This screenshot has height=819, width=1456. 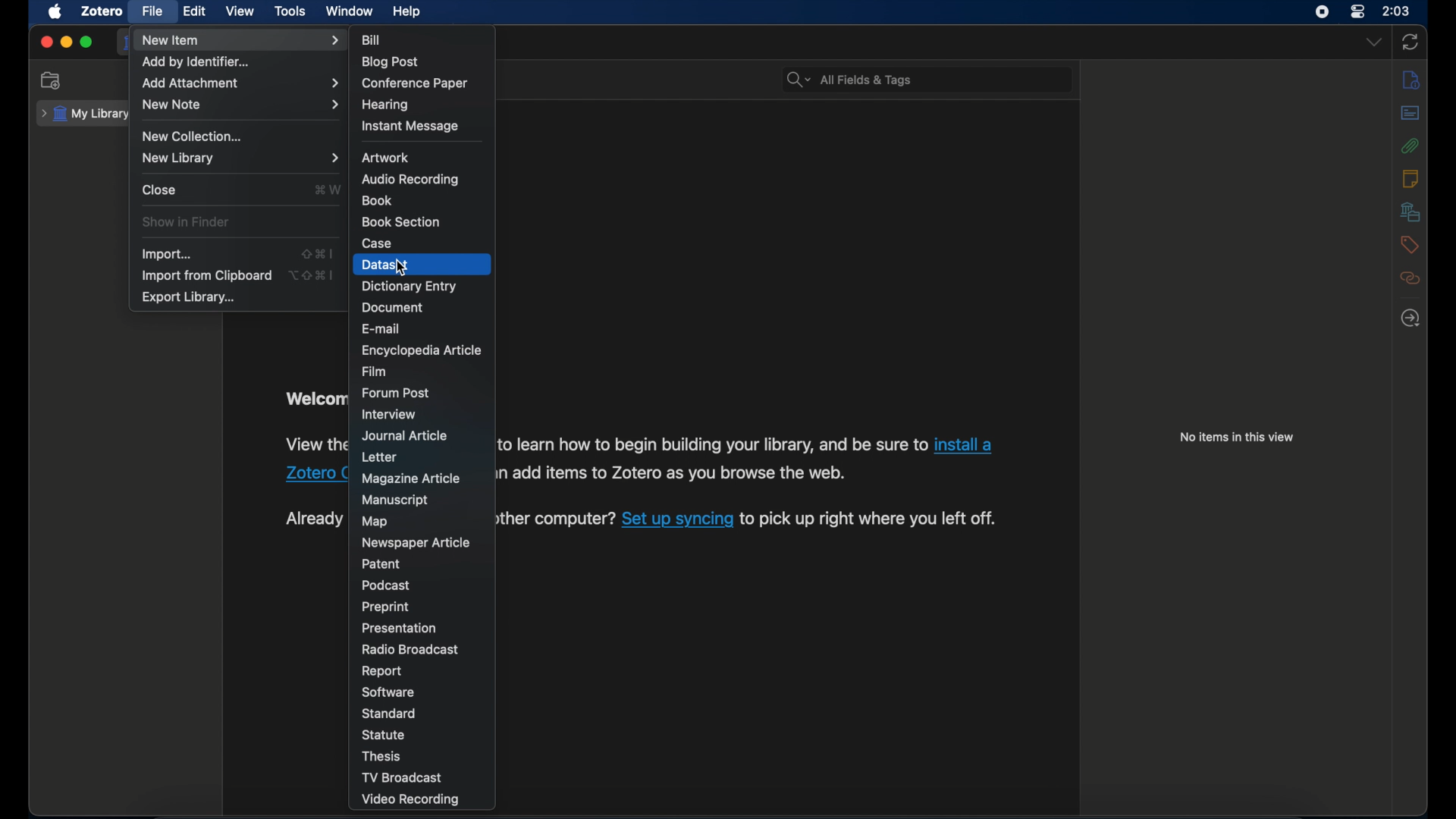 What do you see at coordinates (350, 11) in the screenshot?
I see `window` at bounding box center [350, 11].